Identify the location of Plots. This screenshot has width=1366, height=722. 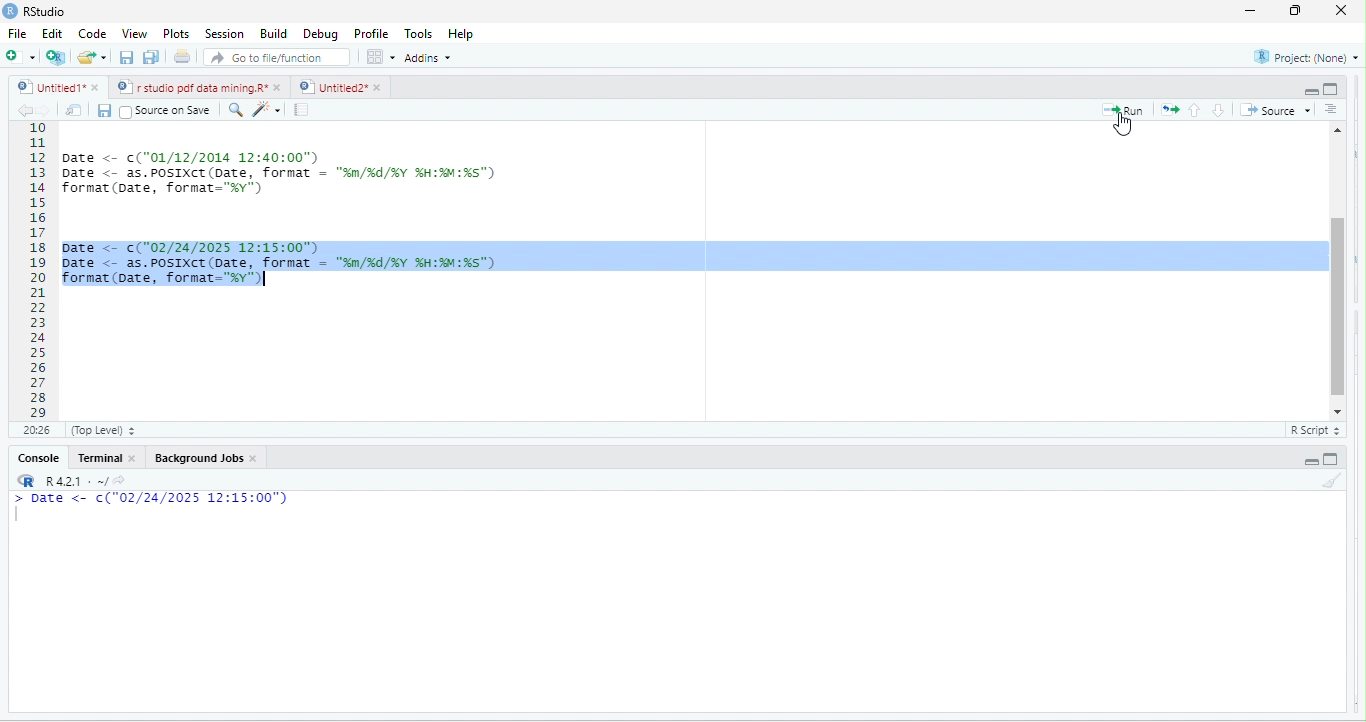
(176, 35).